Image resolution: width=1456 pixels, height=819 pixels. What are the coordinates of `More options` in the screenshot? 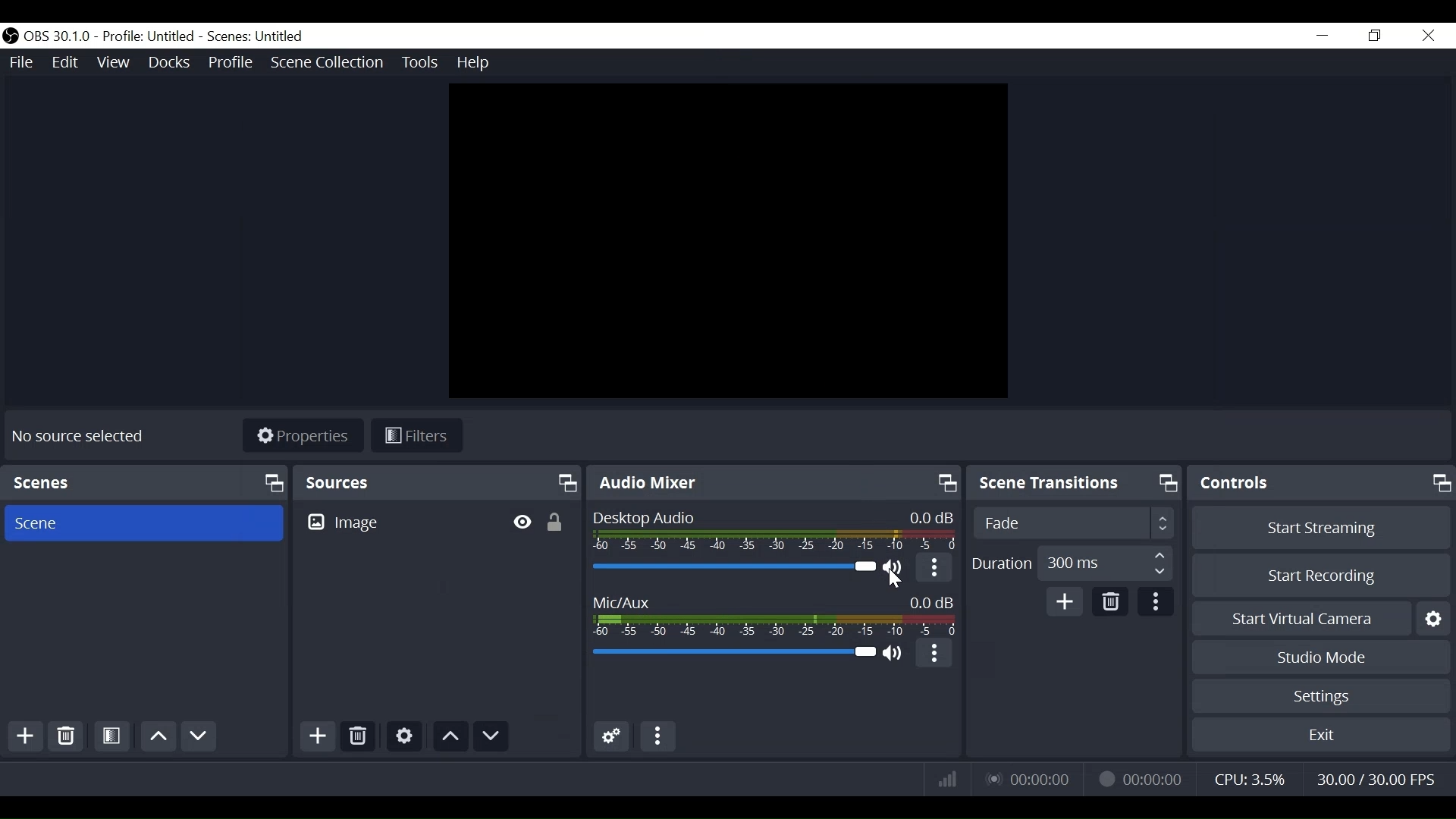 It's located at (931, 655).